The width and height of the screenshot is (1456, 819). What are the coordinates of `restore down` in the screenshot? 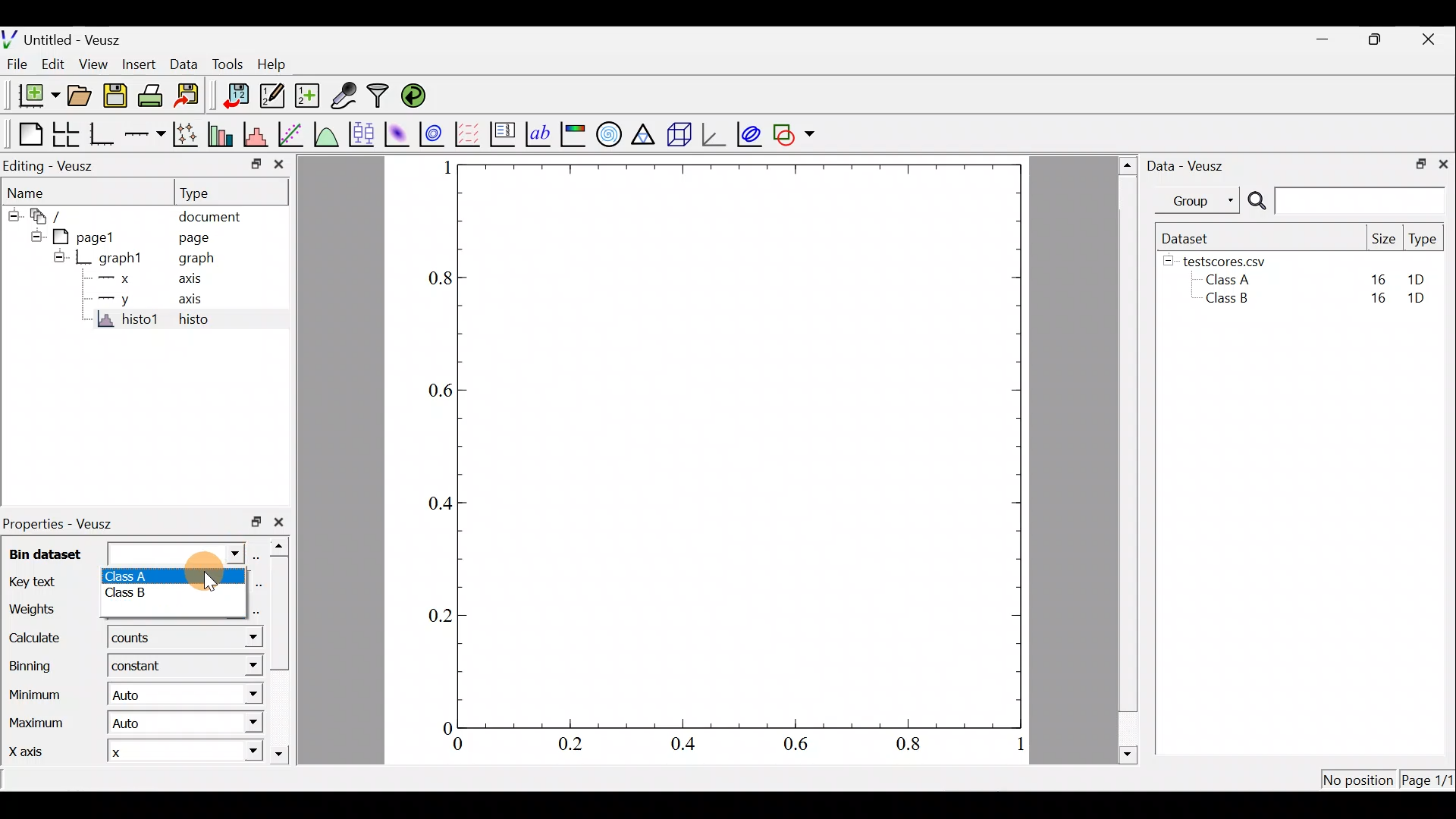 It's located at (249, 162).